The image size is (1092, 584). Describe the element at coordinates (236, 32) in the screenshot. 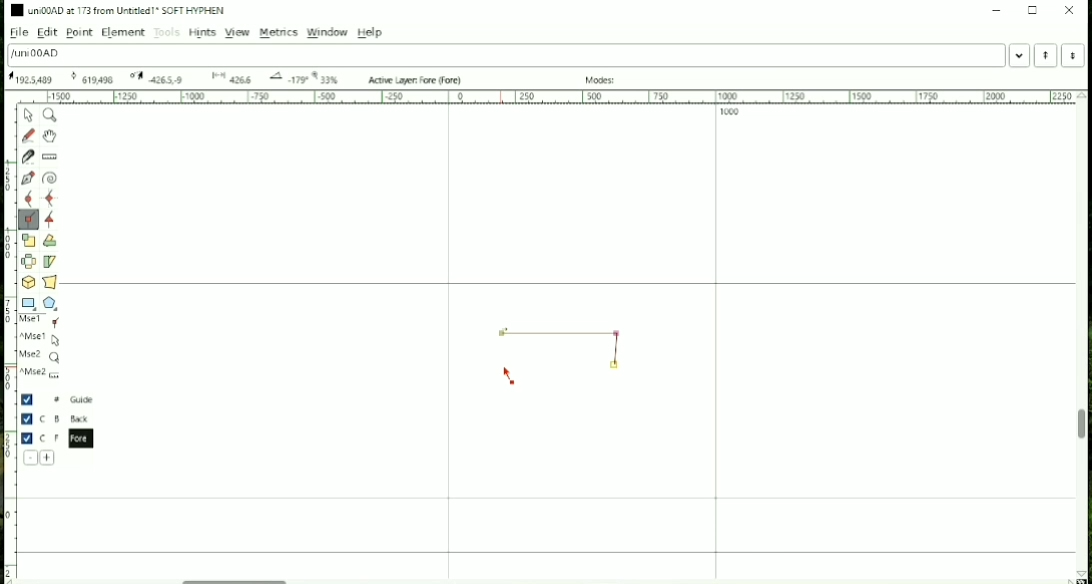

I see `View` at that location.